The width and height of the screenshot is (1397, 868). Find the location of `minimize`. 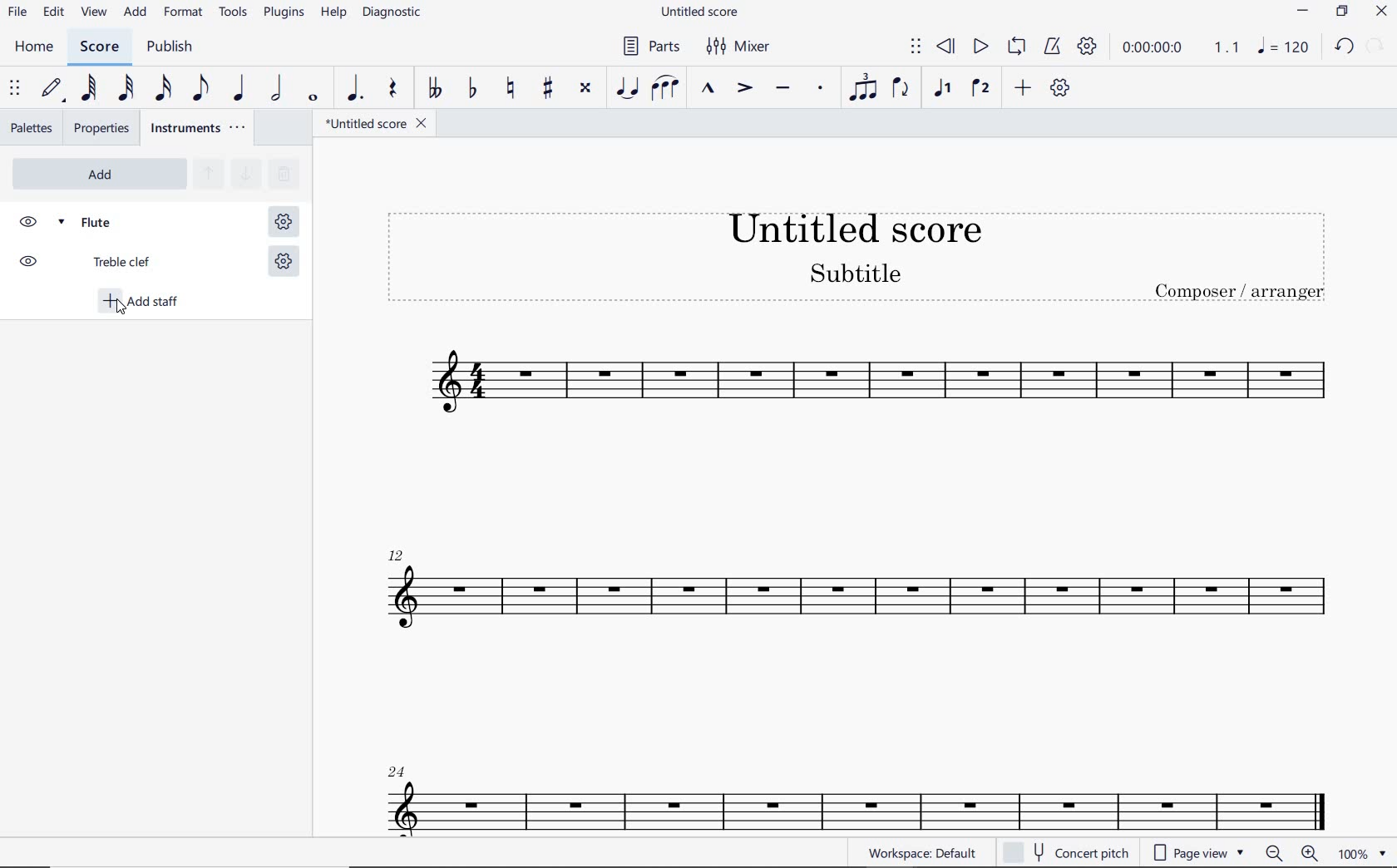

minimize is located at coordinates (1302, 11).